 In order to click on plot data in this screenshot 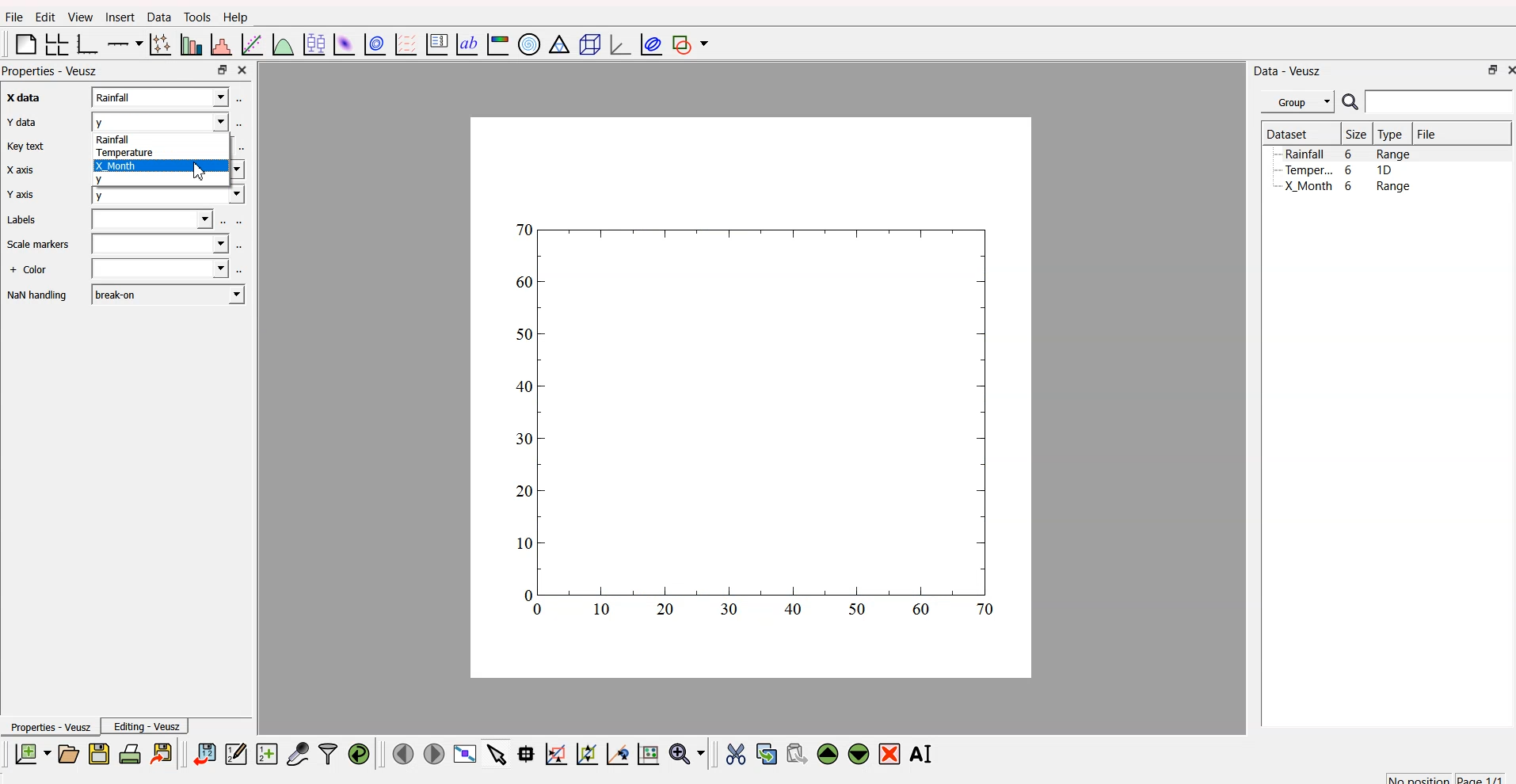, I will do `click(373, 44)`.